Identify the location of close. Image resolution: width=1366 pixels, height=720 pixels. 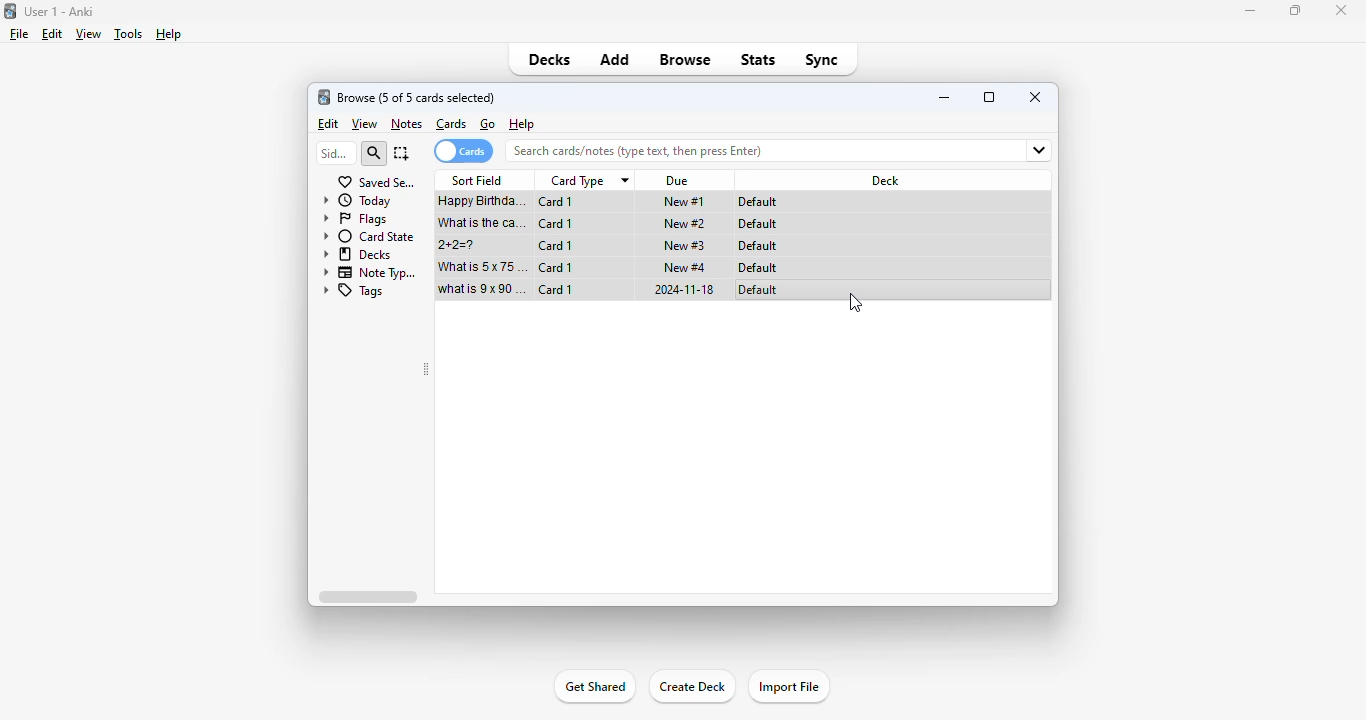
(1036, 96).